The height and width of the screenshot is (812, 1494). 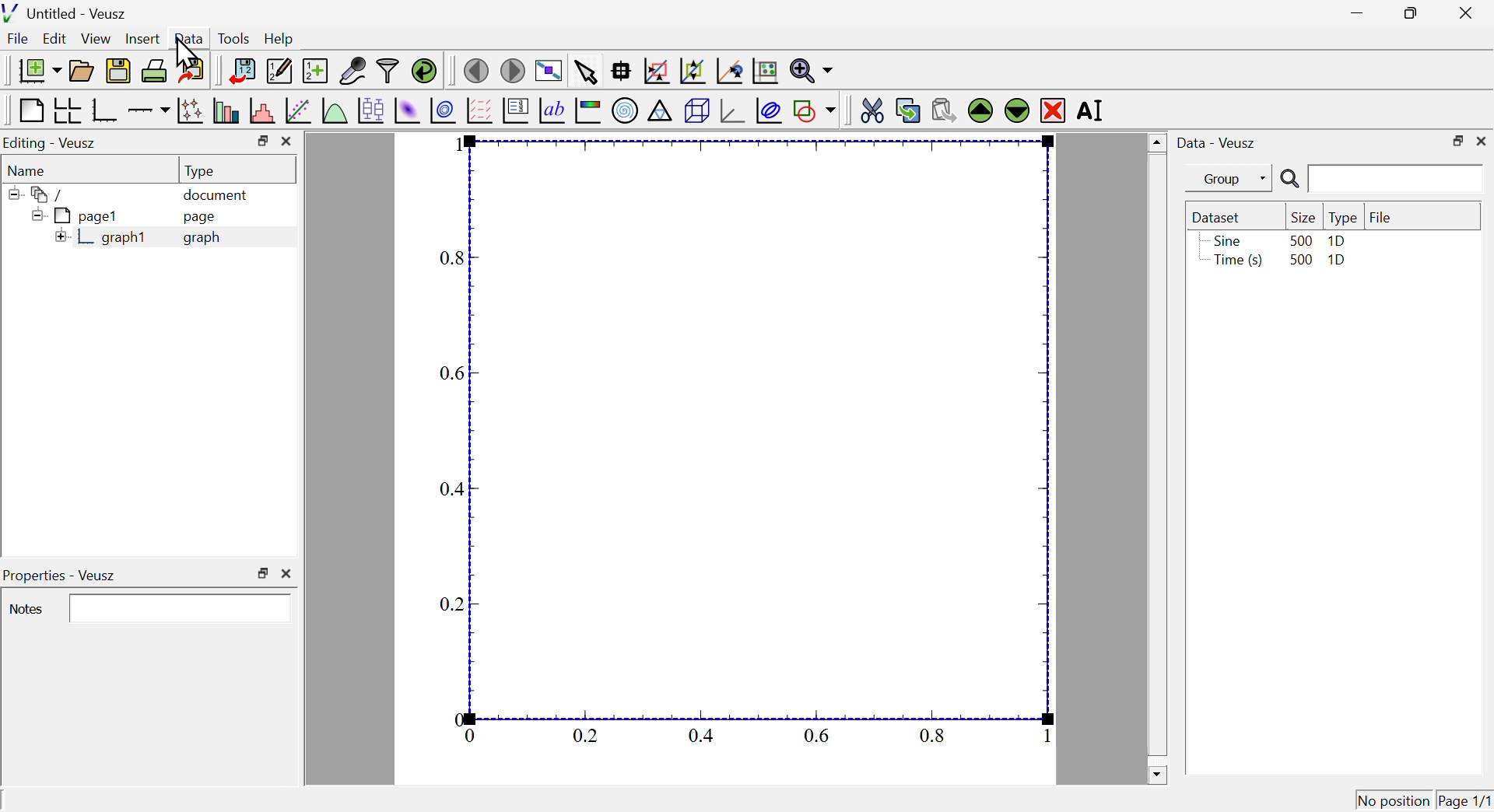 What do you see at coordinates (1482, 141) in the screenshot?
I see `close` at bounding box center [1482, 141].